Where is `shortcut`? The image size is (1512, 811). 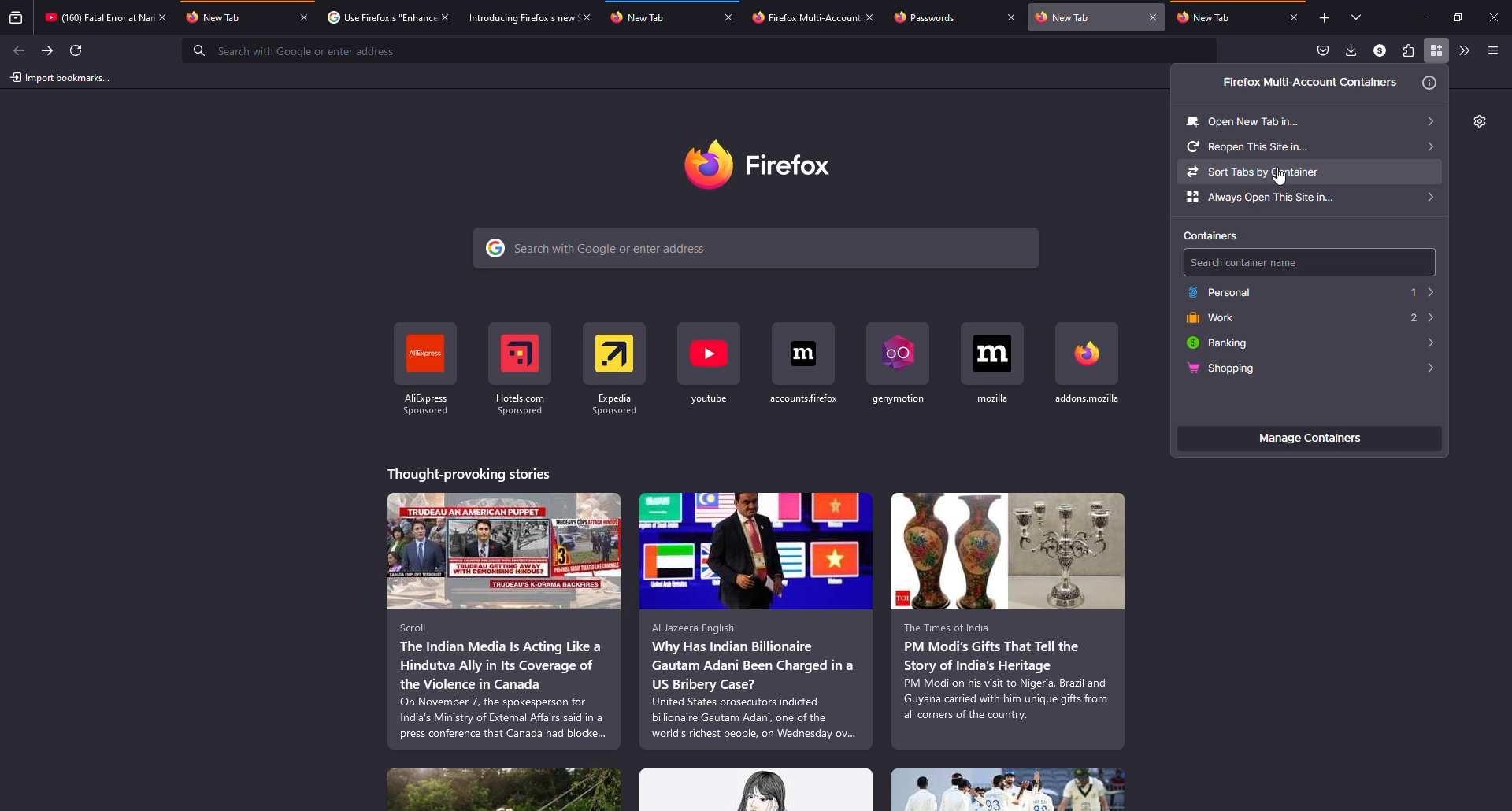
shortcut is located at coordinates (616, 366).